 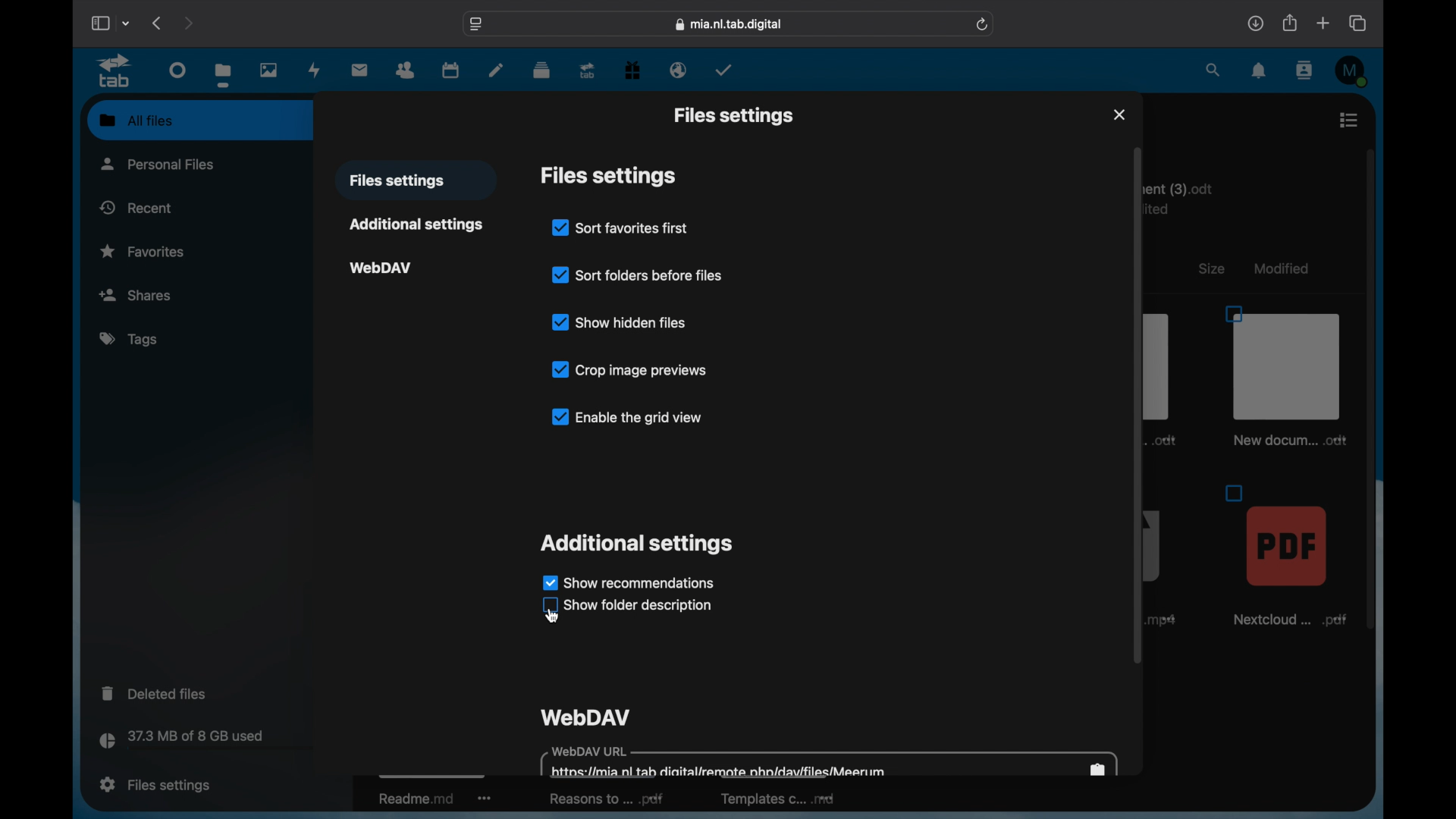 I want to click on files settings, so click(x=155, y=785).